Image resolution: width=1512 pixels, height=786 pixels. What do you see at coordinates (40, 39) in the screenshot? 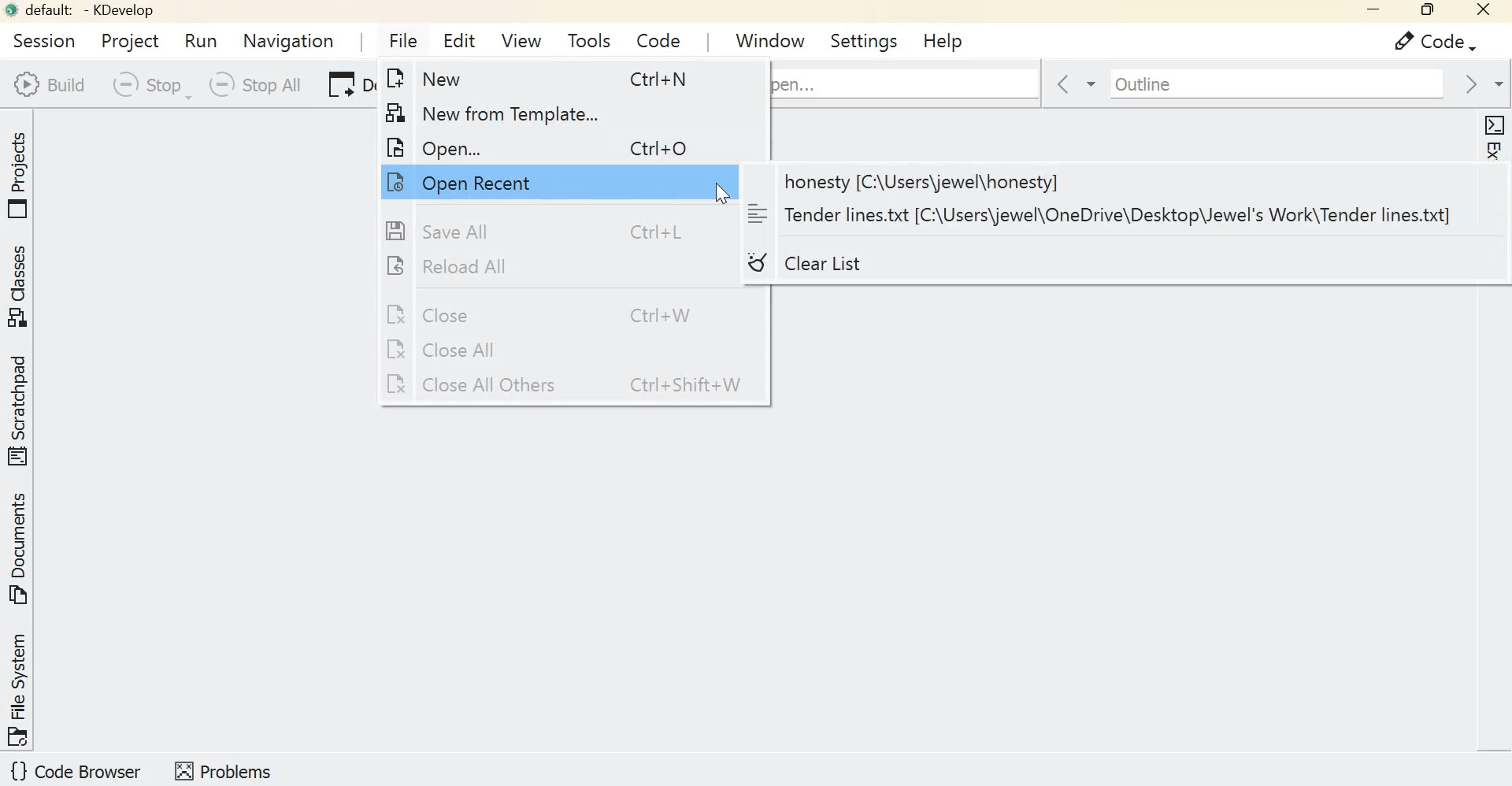
I see `Session` at bounding box center [40, 39].